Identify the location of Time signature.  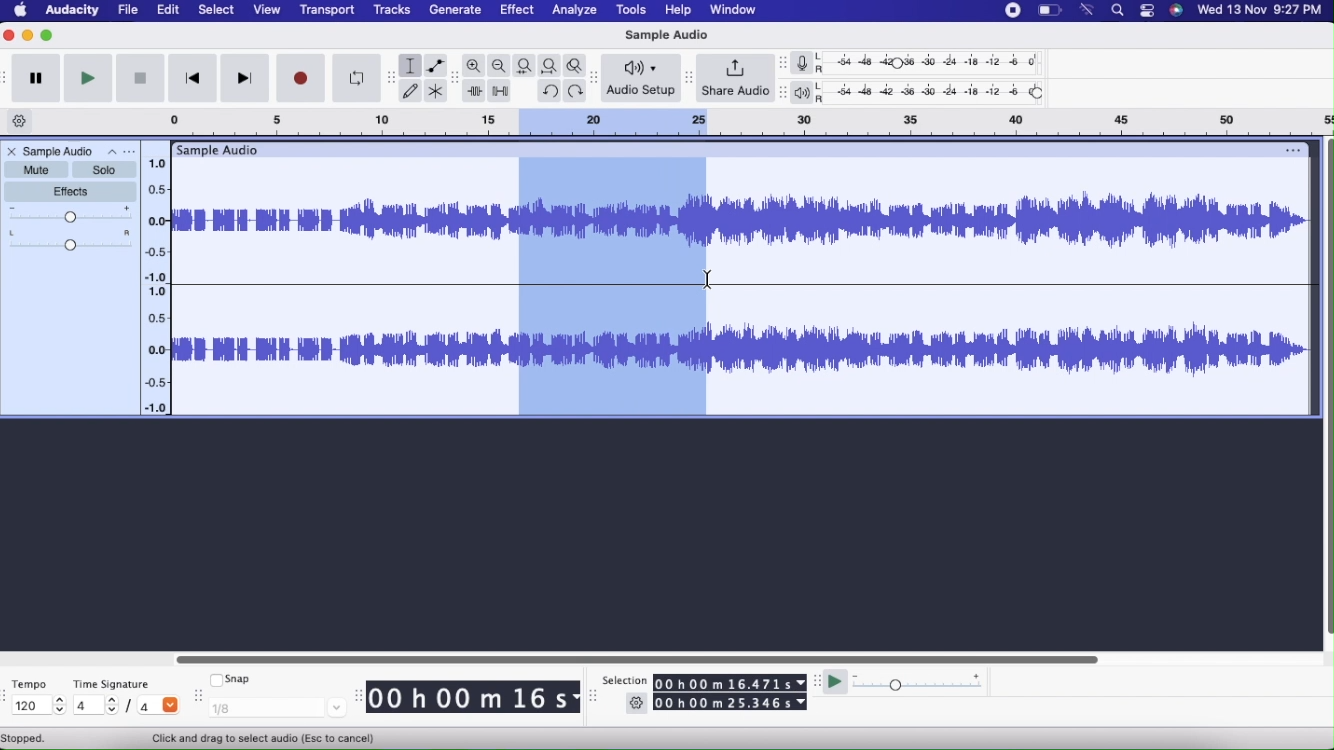
(118, 680).